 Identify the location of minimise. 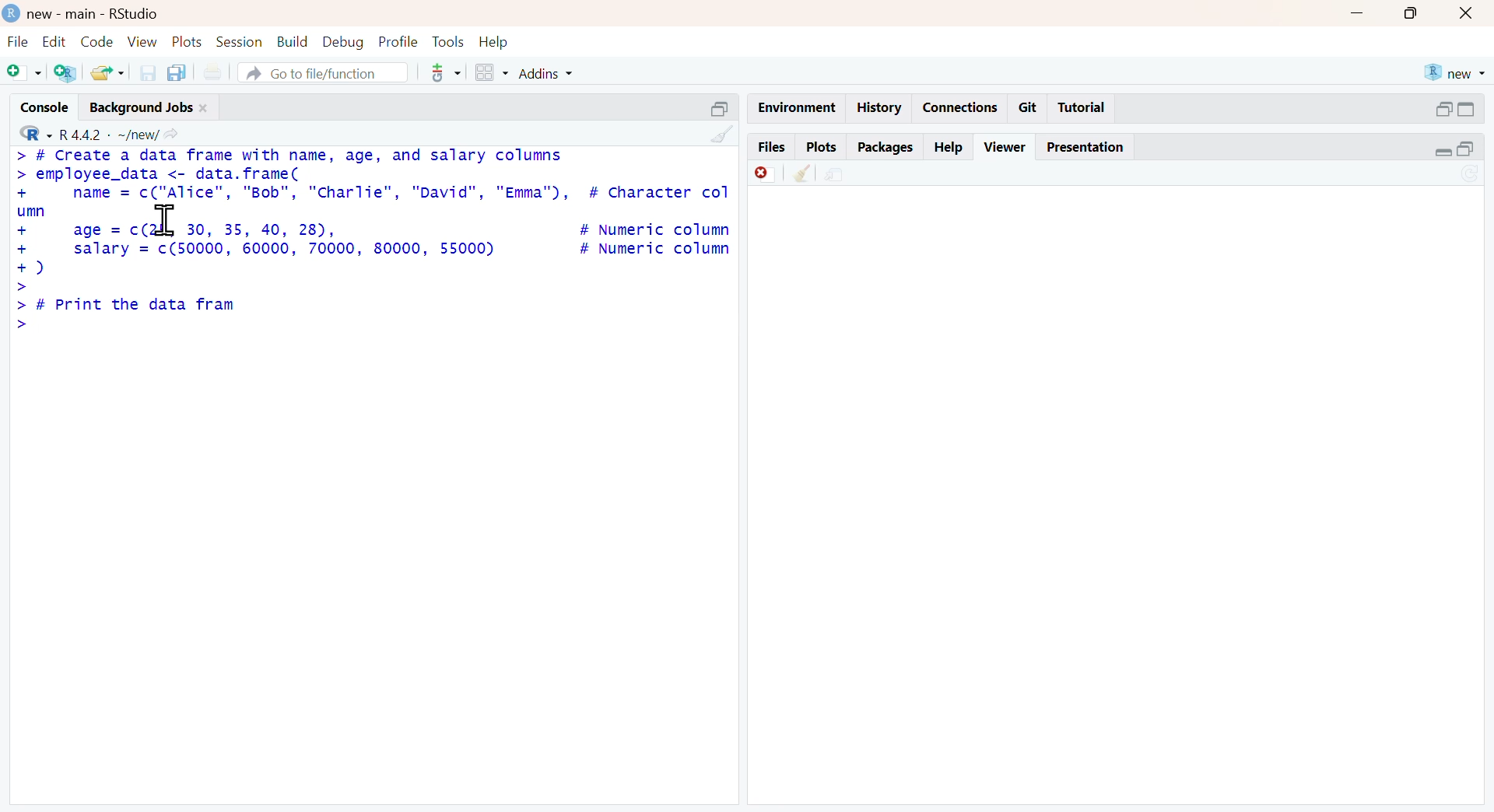
(1453, 149).